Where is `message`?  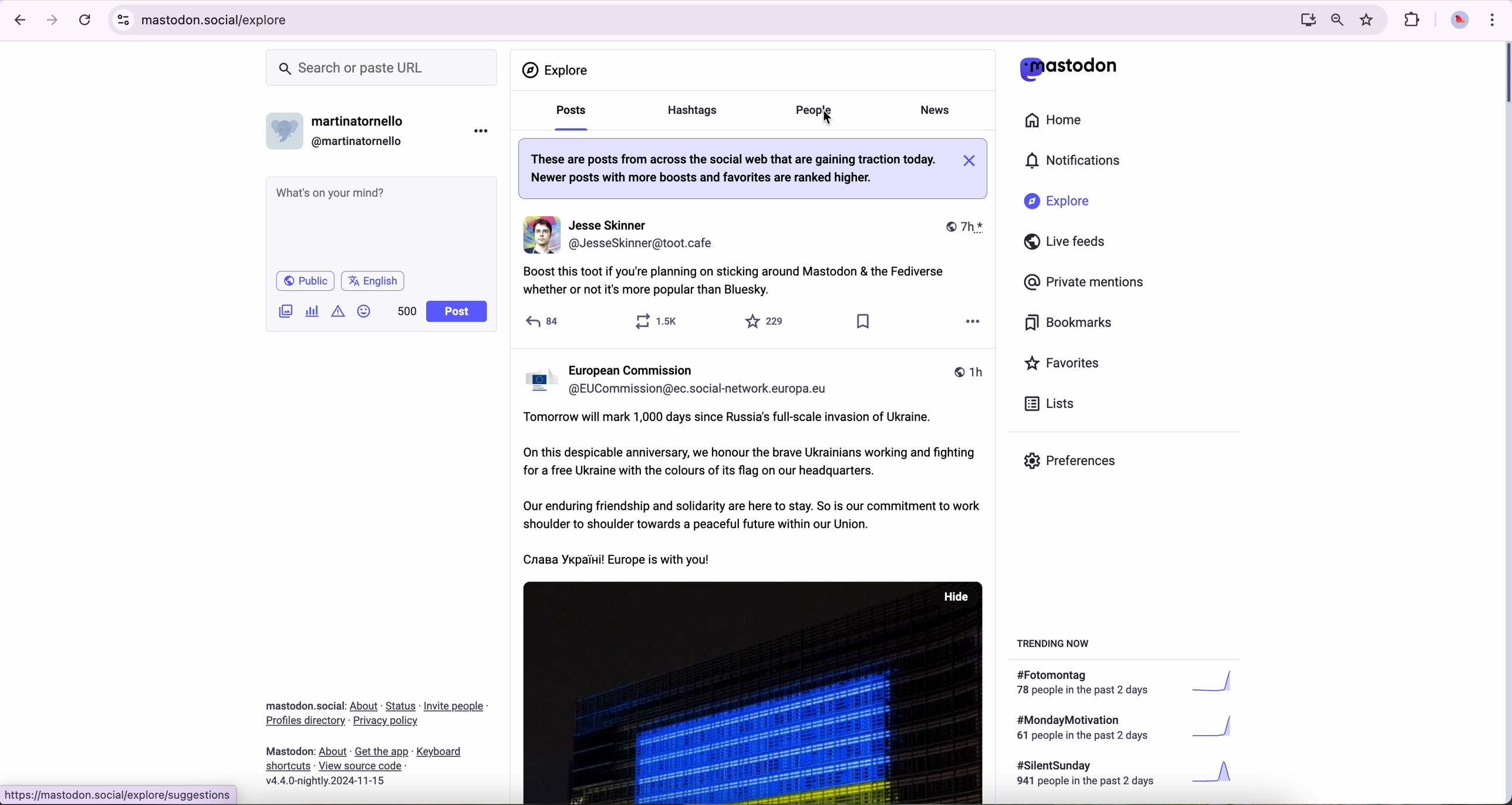 message is located at coordinates (751, 490).